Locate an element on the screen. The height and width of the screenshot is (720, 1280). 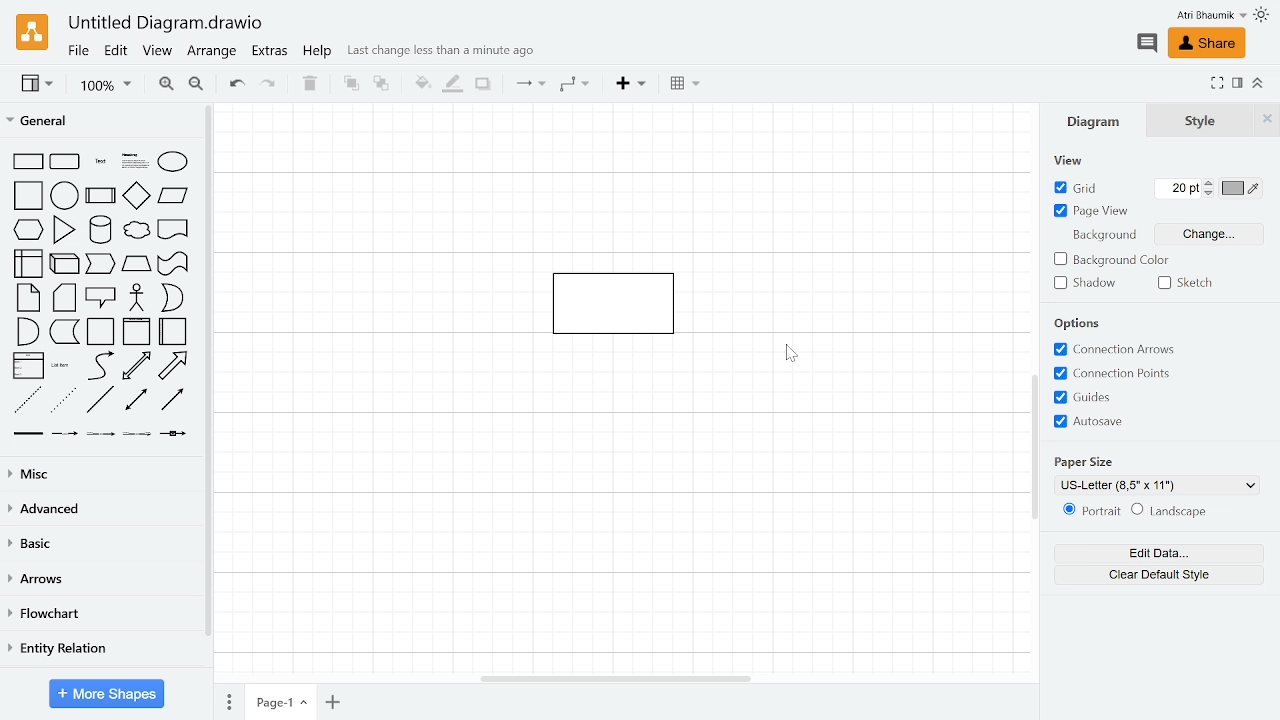
Theme is located at coordinates (1262, 14).